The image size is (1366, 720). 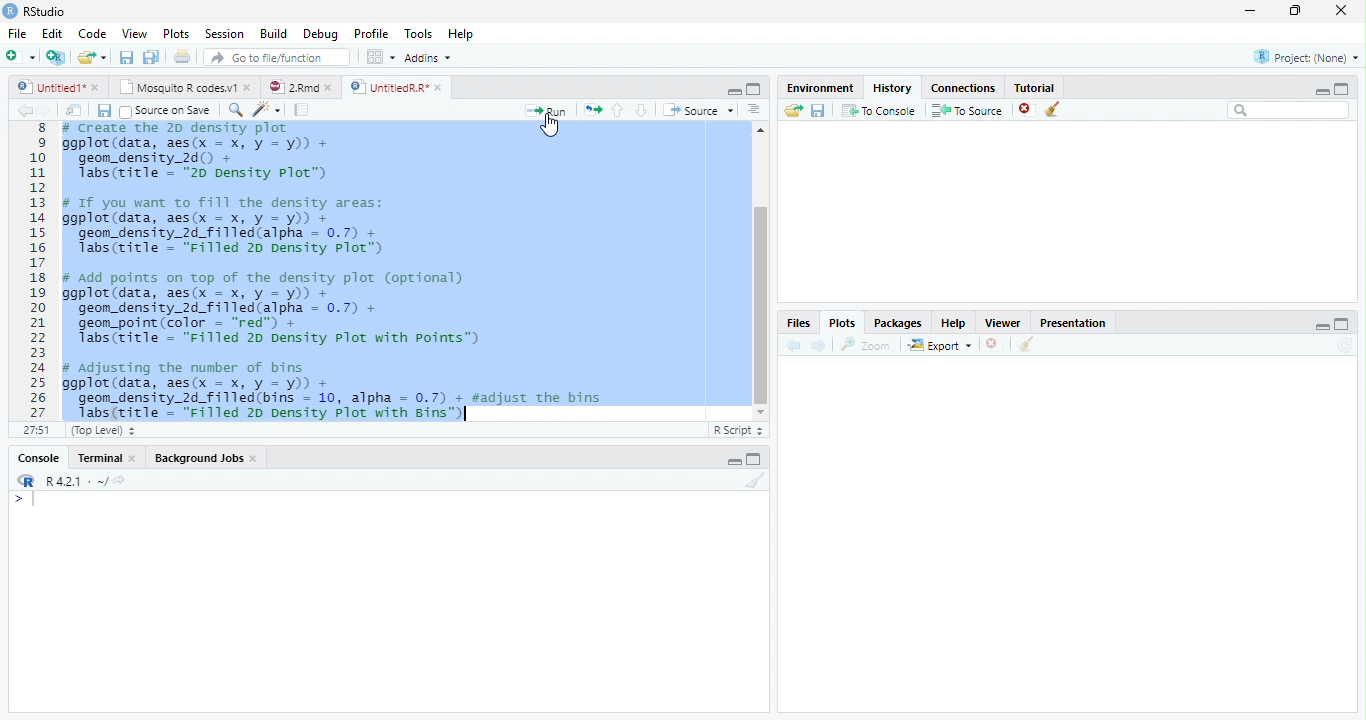 I want to click on minimize, so click(x=734, y=462).